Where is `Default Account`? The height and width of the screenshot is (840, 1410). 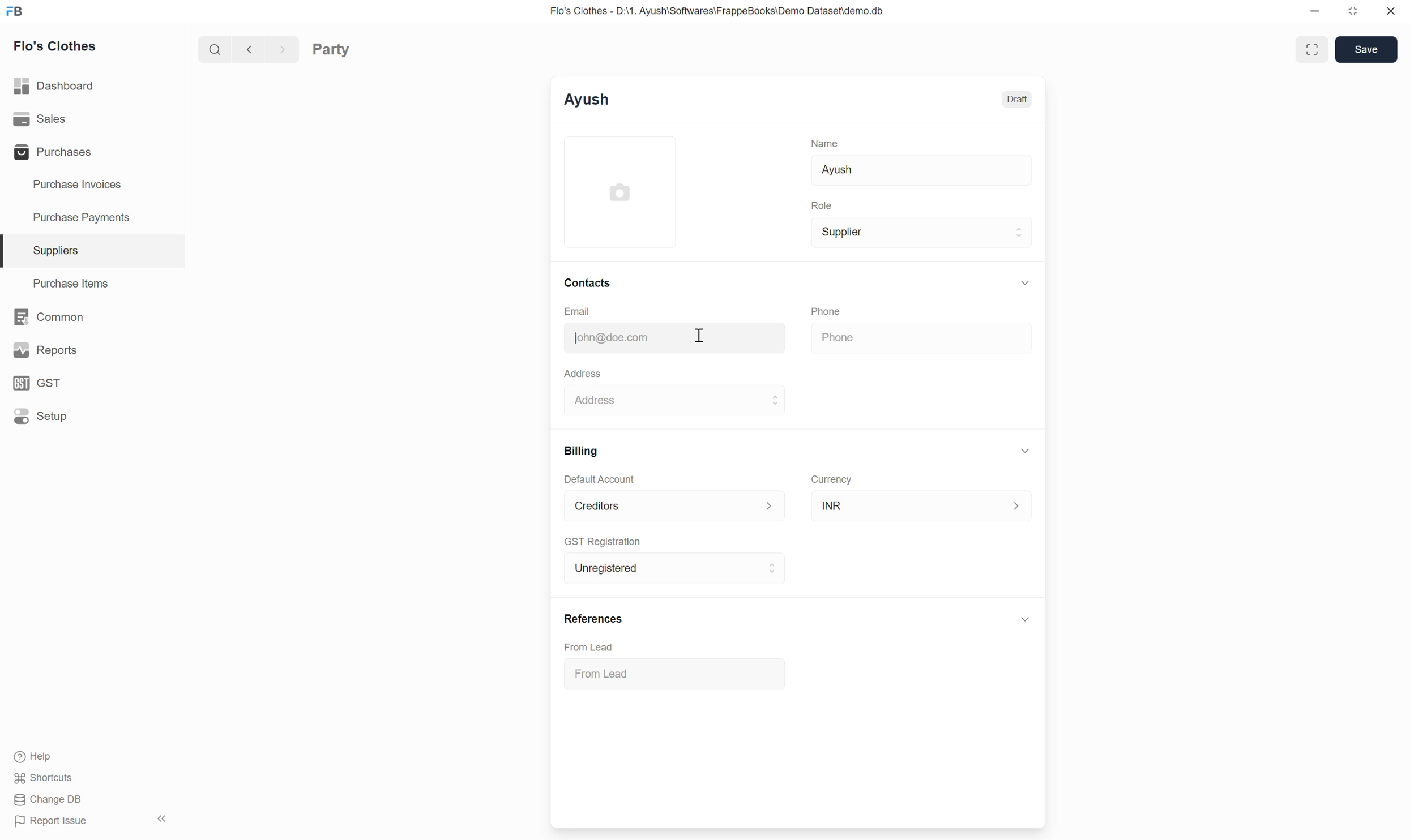
Default Account is located at coordinates (676, 506).